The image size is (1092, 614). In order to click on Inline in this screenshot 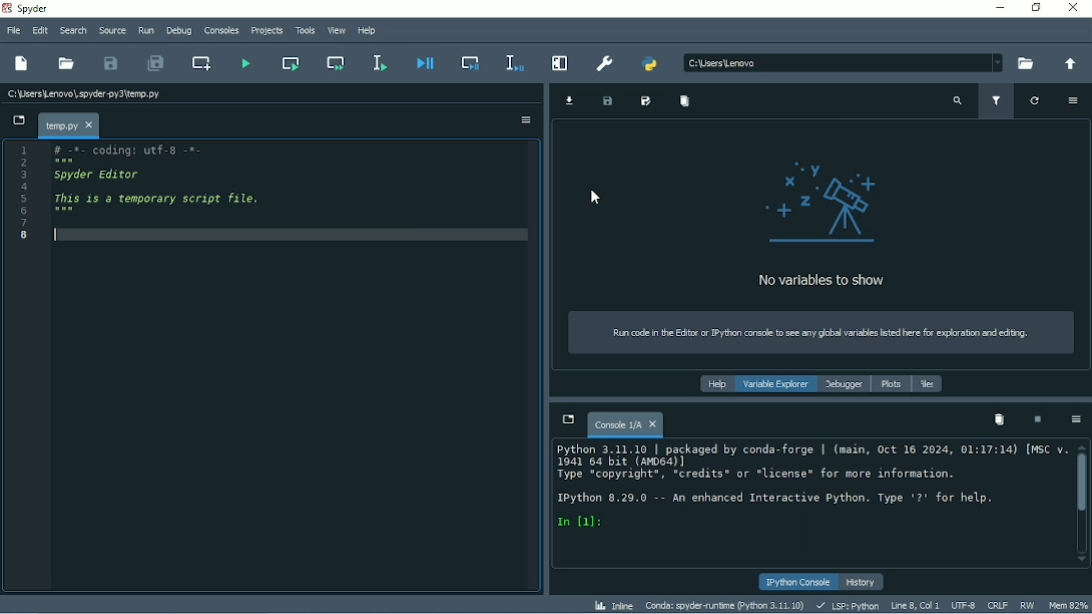, I will do `click(614, 605)`.